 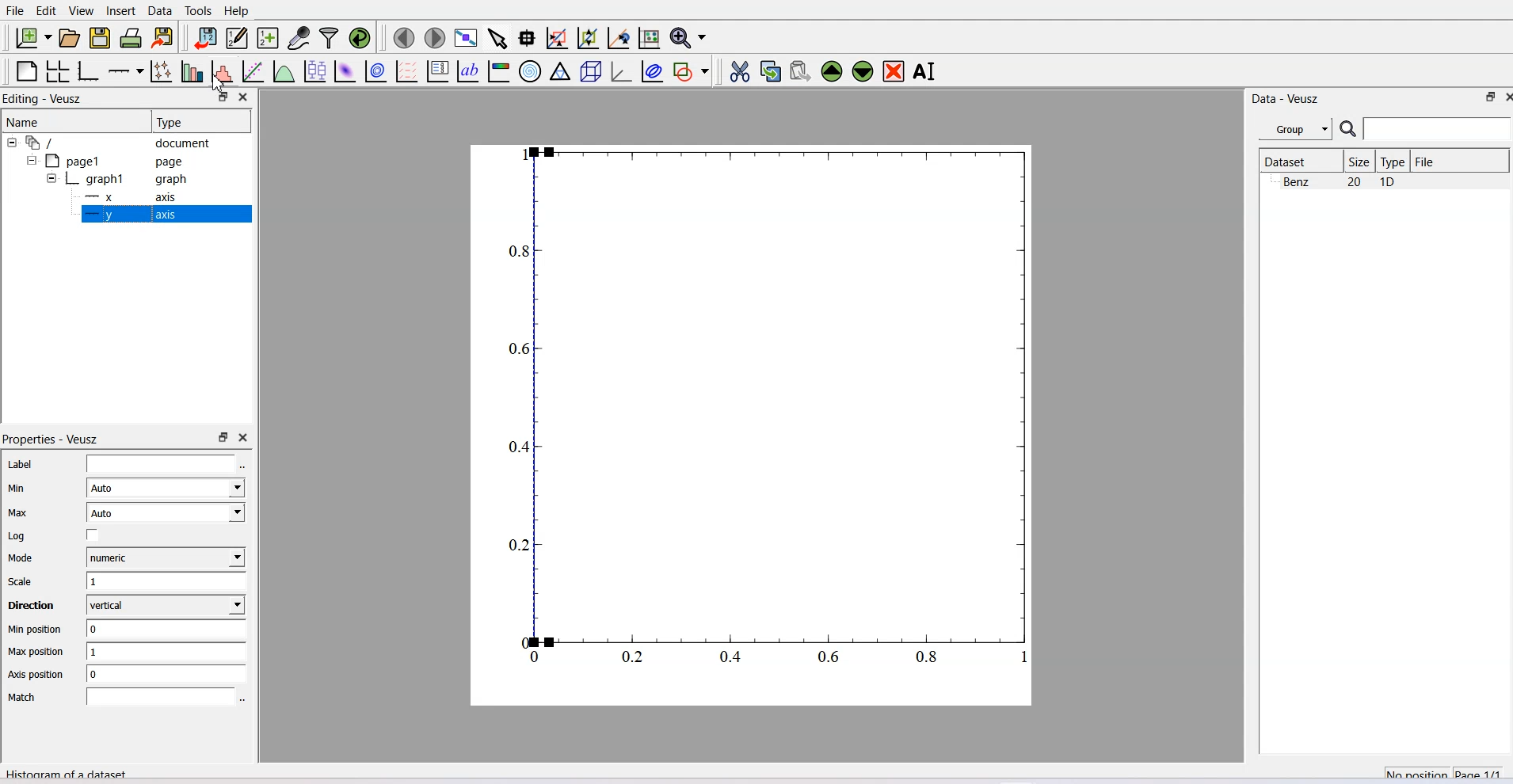 What do you see at coordinates (467, 39) in the screenshot?
I see `View plot full screen` at bounding box center [467, 39].